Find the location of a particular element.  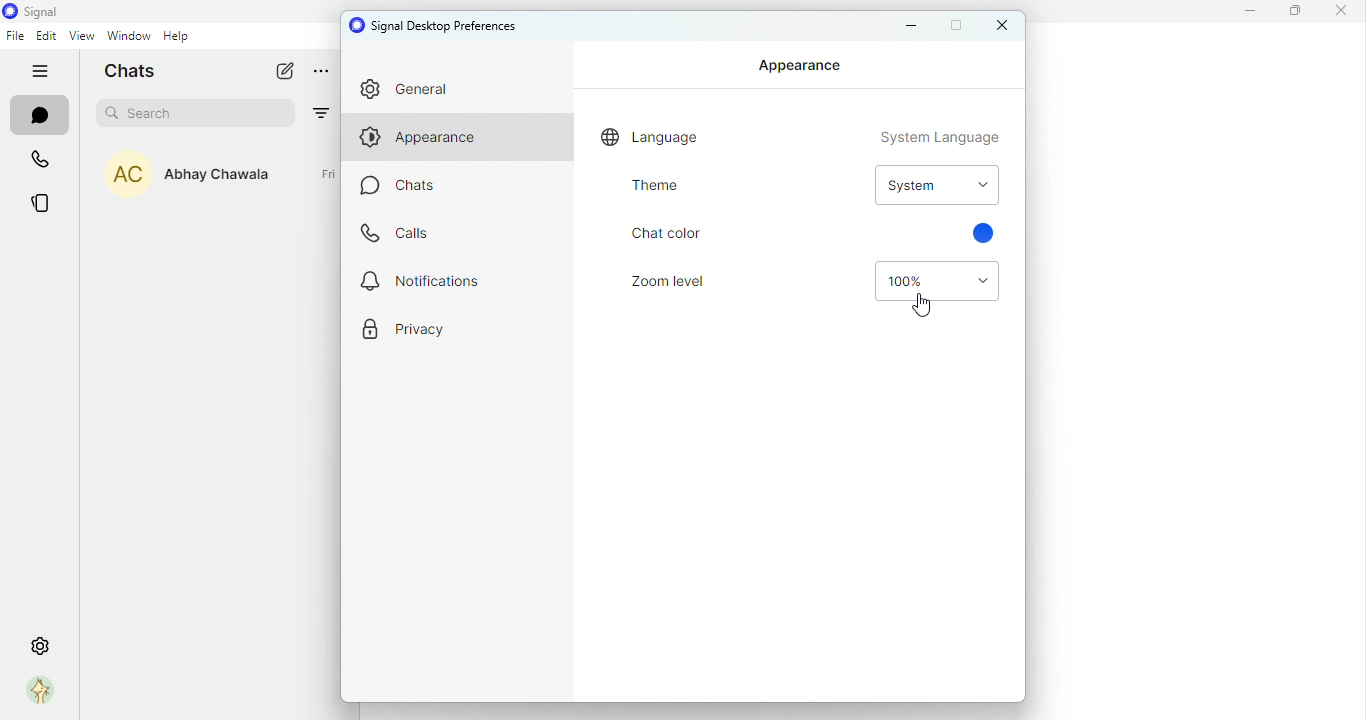

signal desktop preferences is located at coordinates (439, 25).